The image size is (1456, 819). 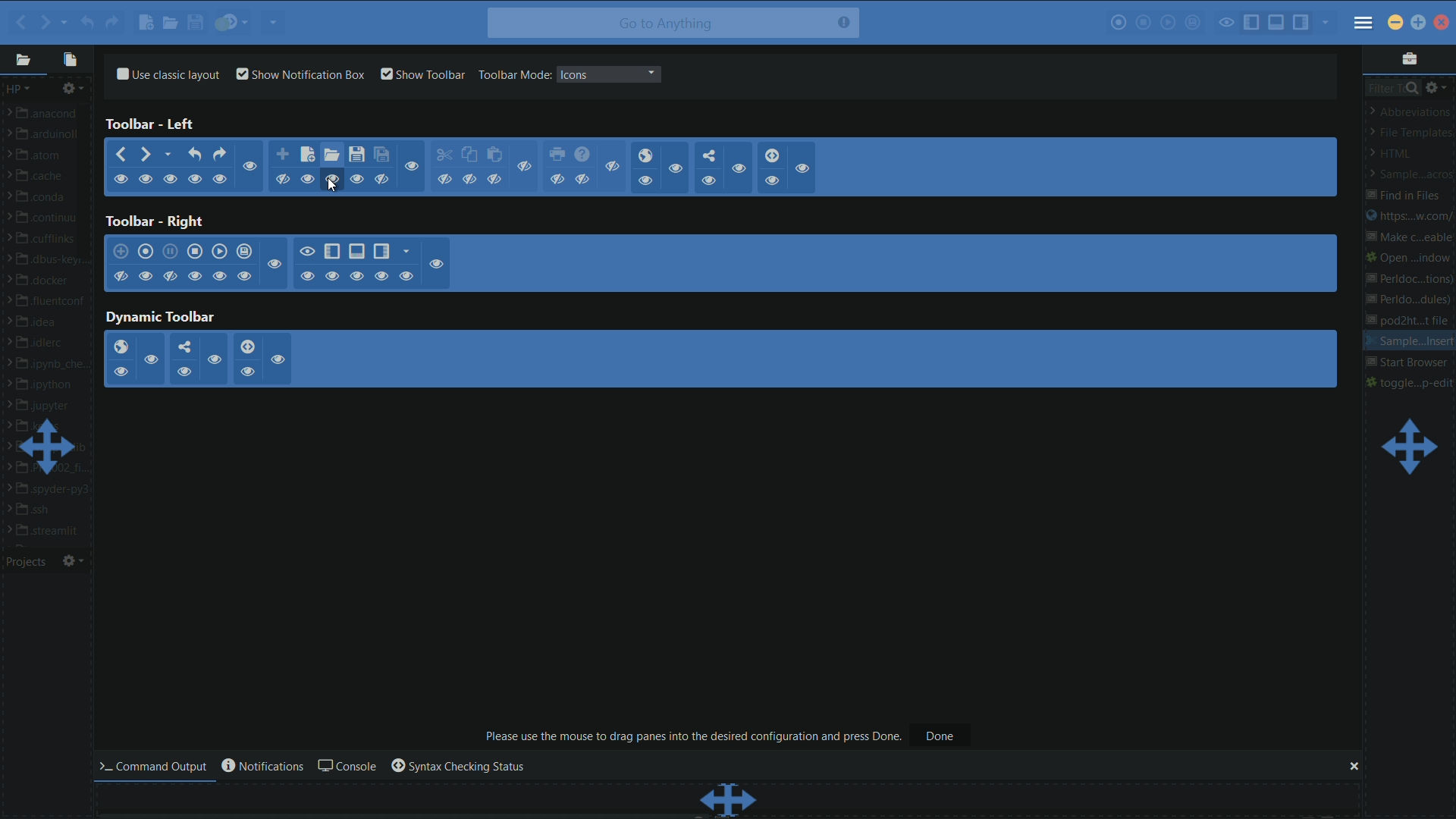 What do you see at coordinates (413, 166) in the screenshot?
I see `show/hide` at bounding box center [413, 166].